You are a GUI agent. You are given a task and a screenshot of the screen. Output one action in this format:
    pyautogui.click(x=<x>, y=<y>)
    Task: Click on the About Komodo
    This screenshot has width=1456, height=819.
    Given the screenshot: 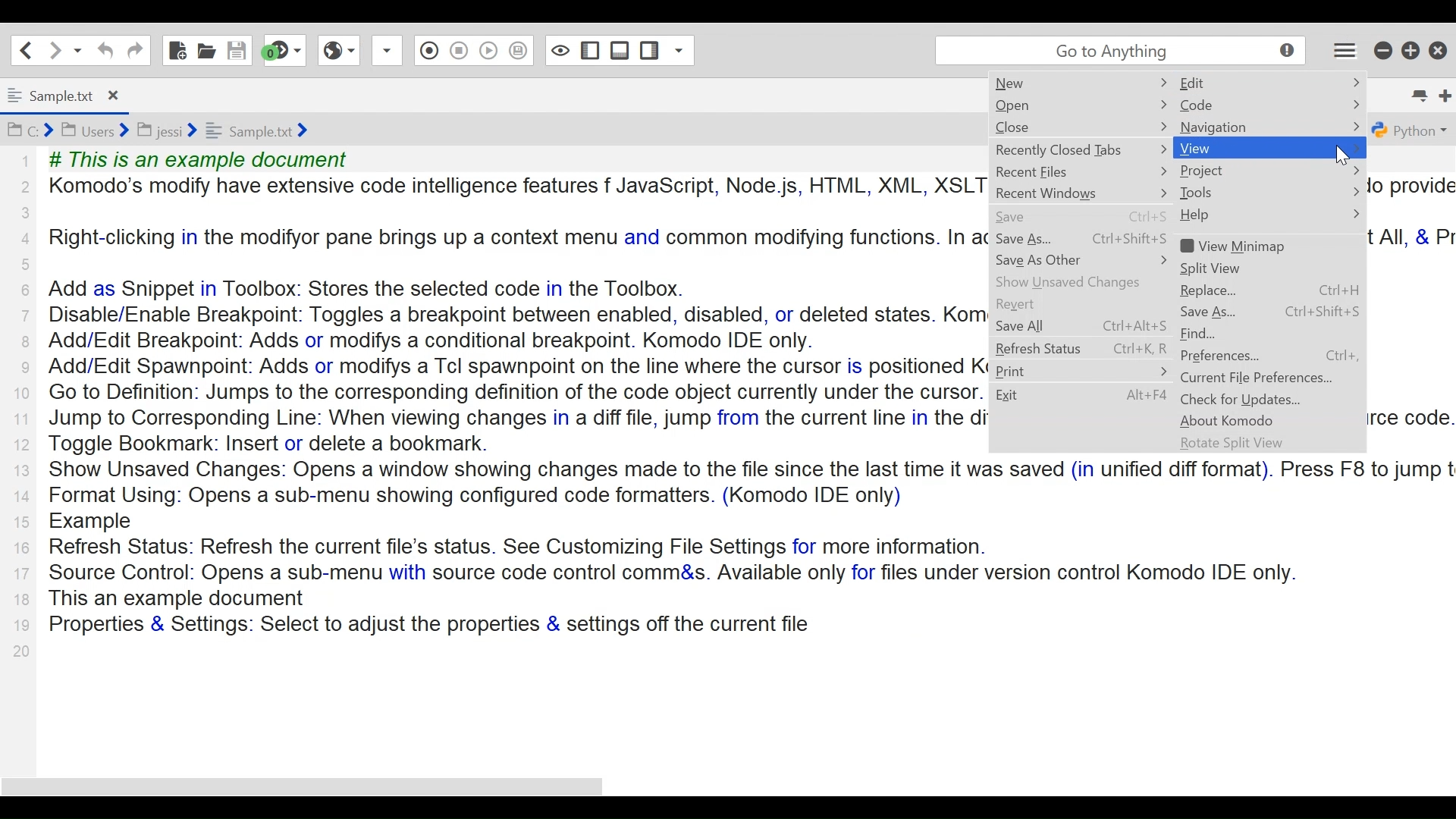 What is the action you would take?
    pyautogui.click(x=1232, y=421)
    